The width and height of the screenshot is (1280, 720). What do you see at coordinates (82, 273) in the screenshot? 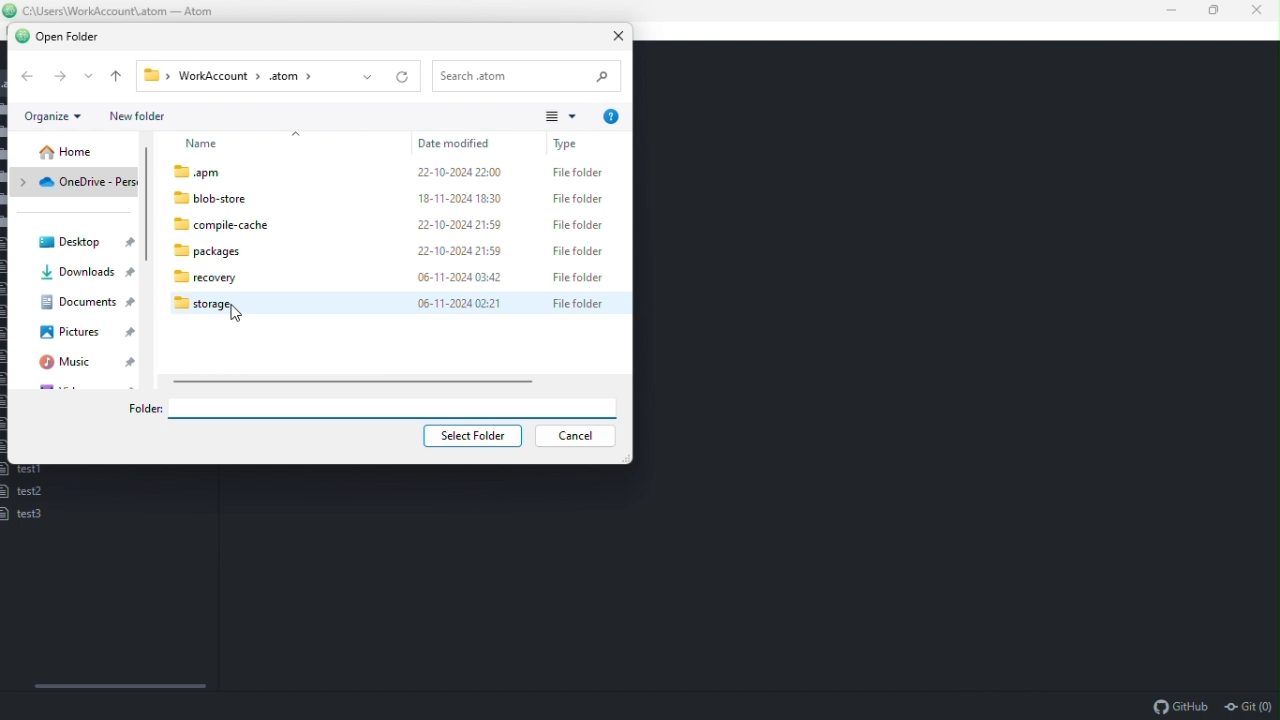
I see `Downloads` at bounding box center [82, 273].